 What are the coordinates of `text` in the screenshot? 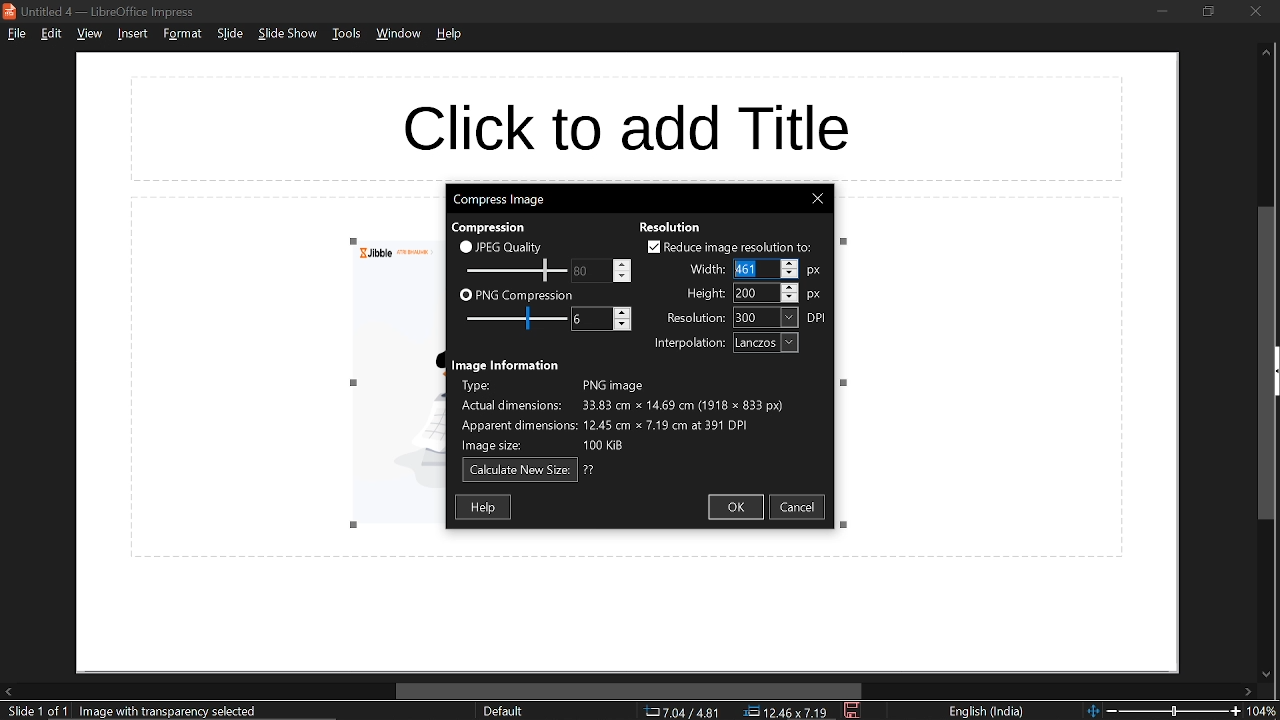 It's located at (695, 317).